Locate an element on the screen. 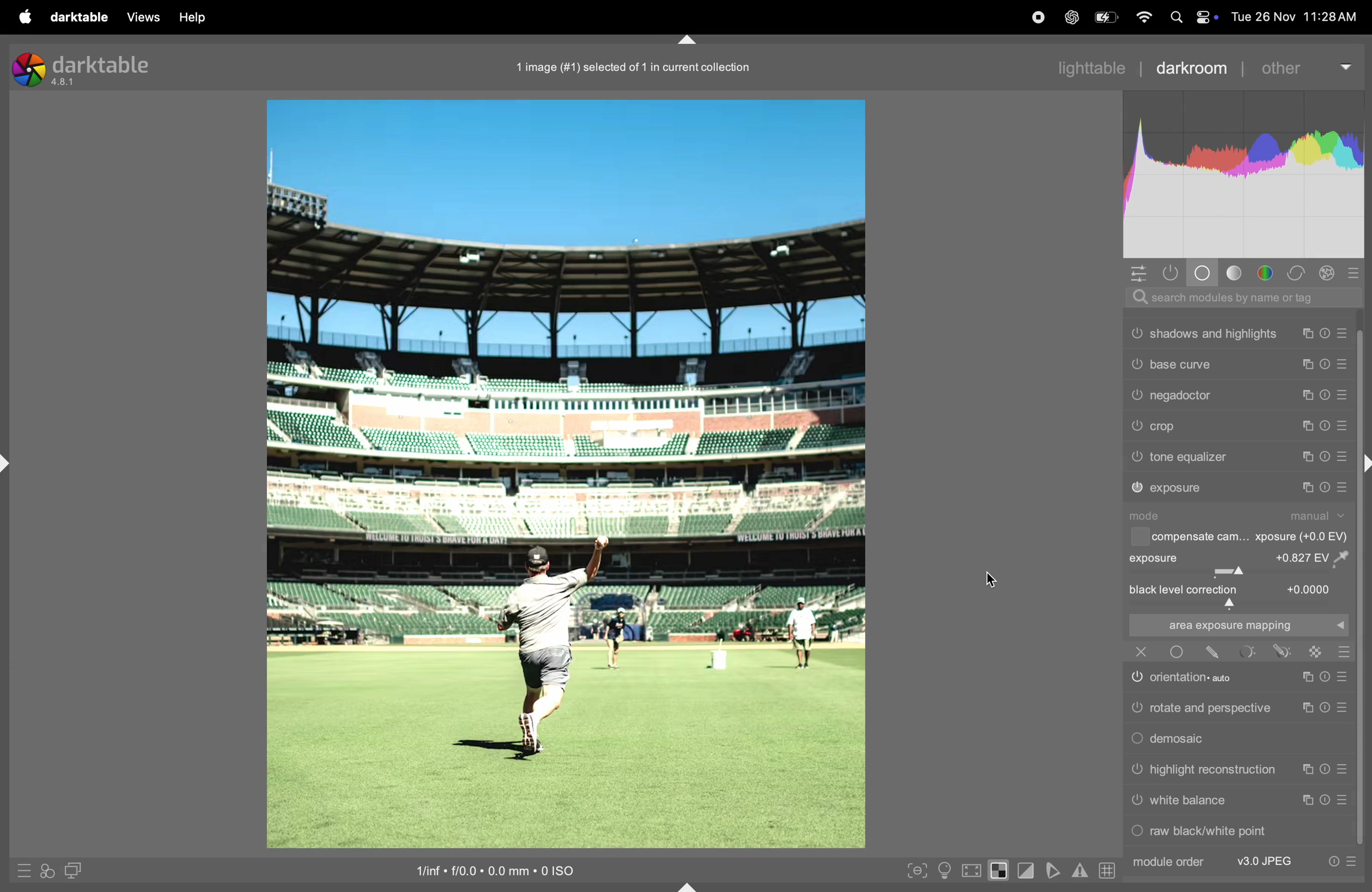 Image resolution: width=1372 pixels, height=892 pixels. darkroom is located at coordinates (1189, 67).